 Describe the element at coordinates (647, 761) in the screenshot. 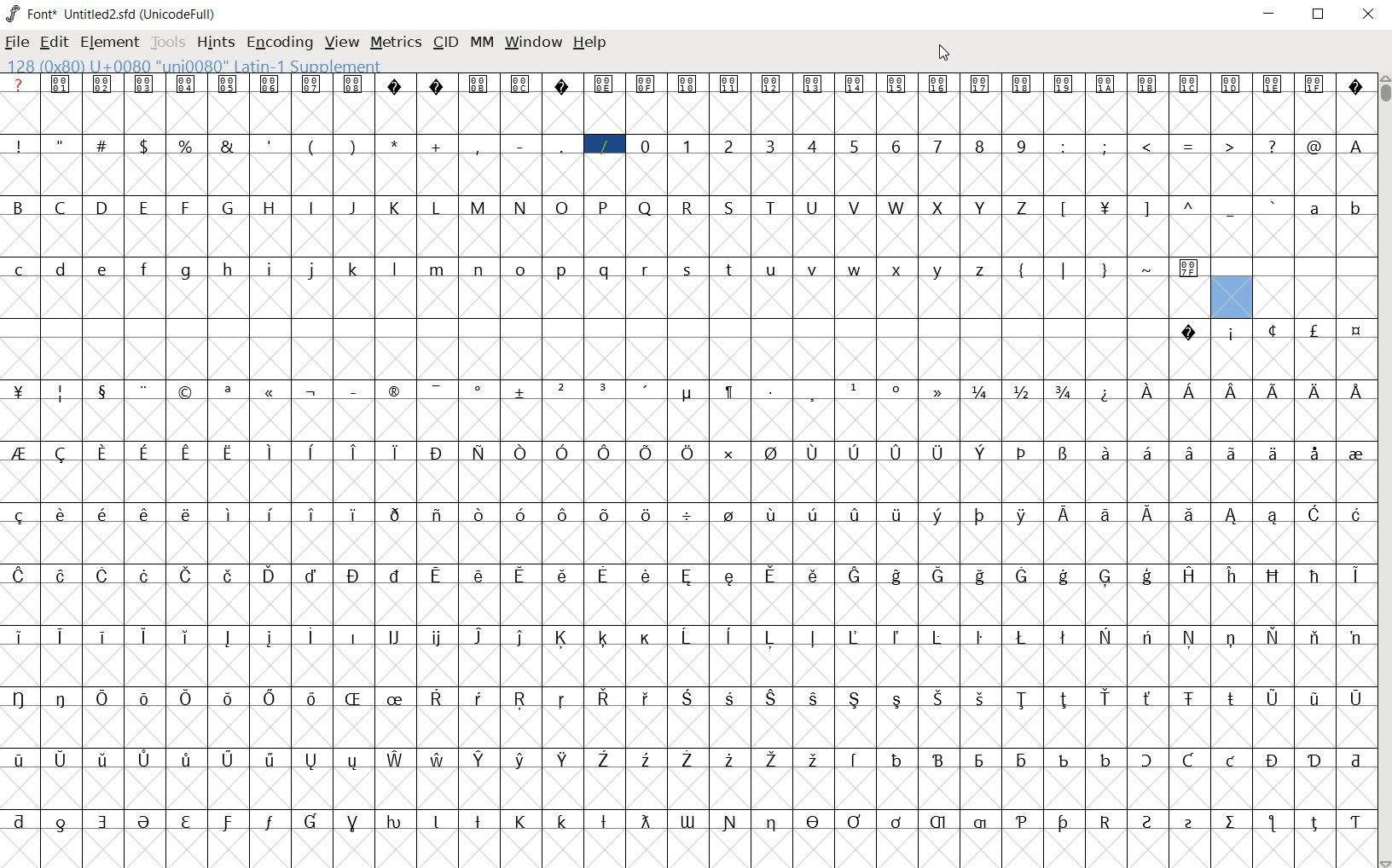

I see `glyph` at that location.